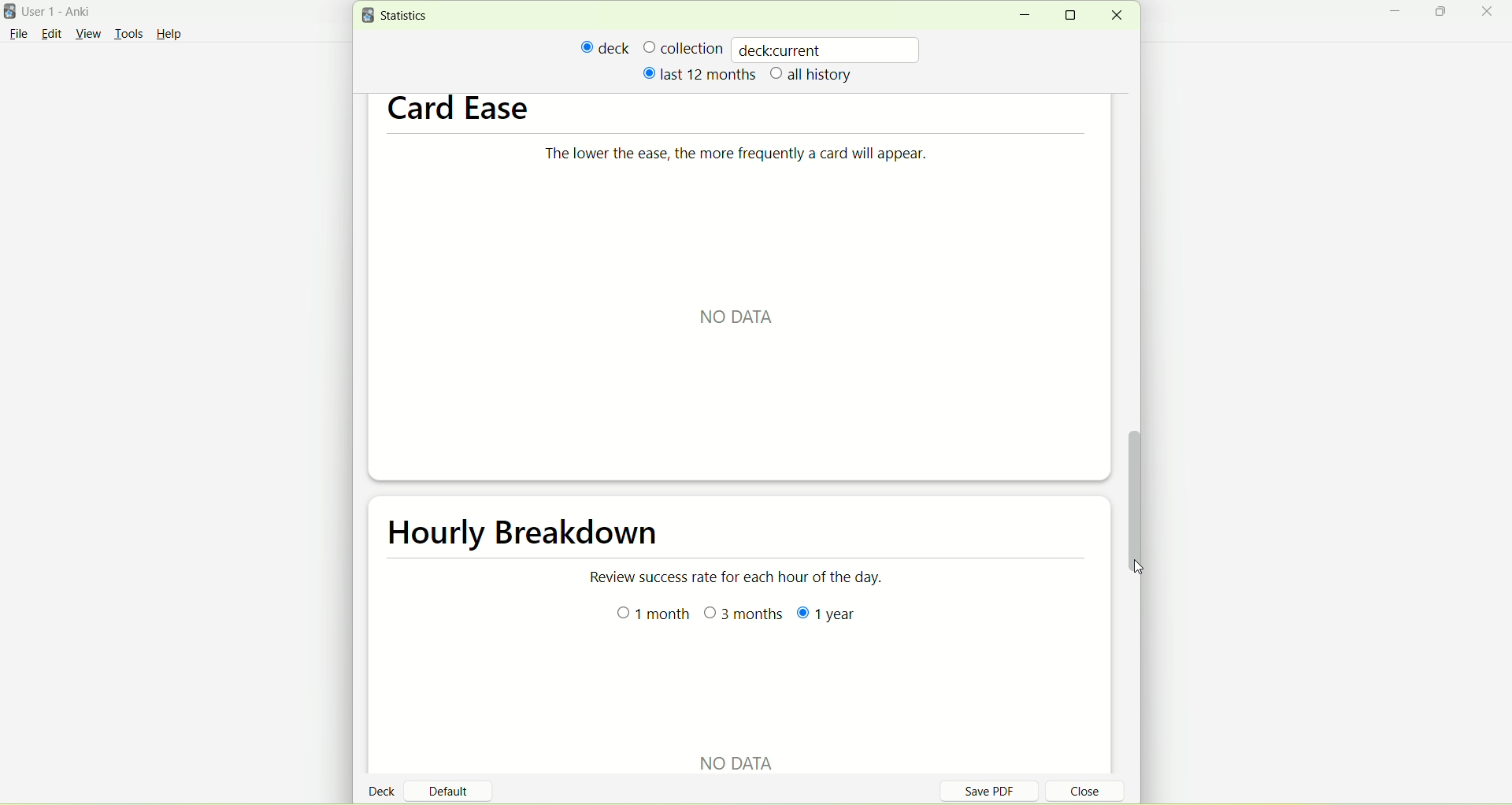 The height and width of the screenshot is (805, 1512). I want to click on save PDF, so click(999, 790).